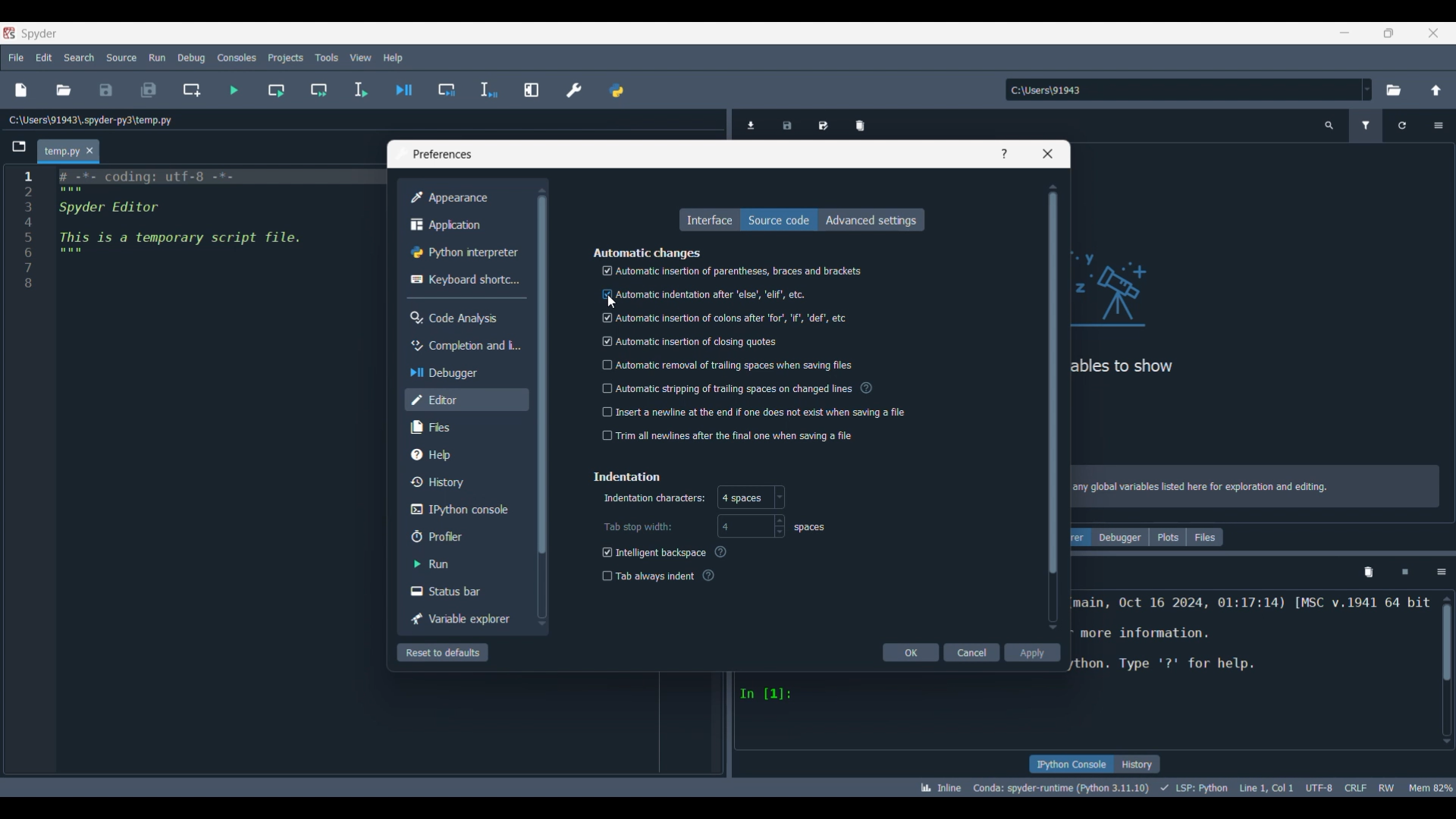  What do you see at coordinates (616, 89) in the screenshot?
I see `Pythonpath manager` at bounding box center [616, 89].